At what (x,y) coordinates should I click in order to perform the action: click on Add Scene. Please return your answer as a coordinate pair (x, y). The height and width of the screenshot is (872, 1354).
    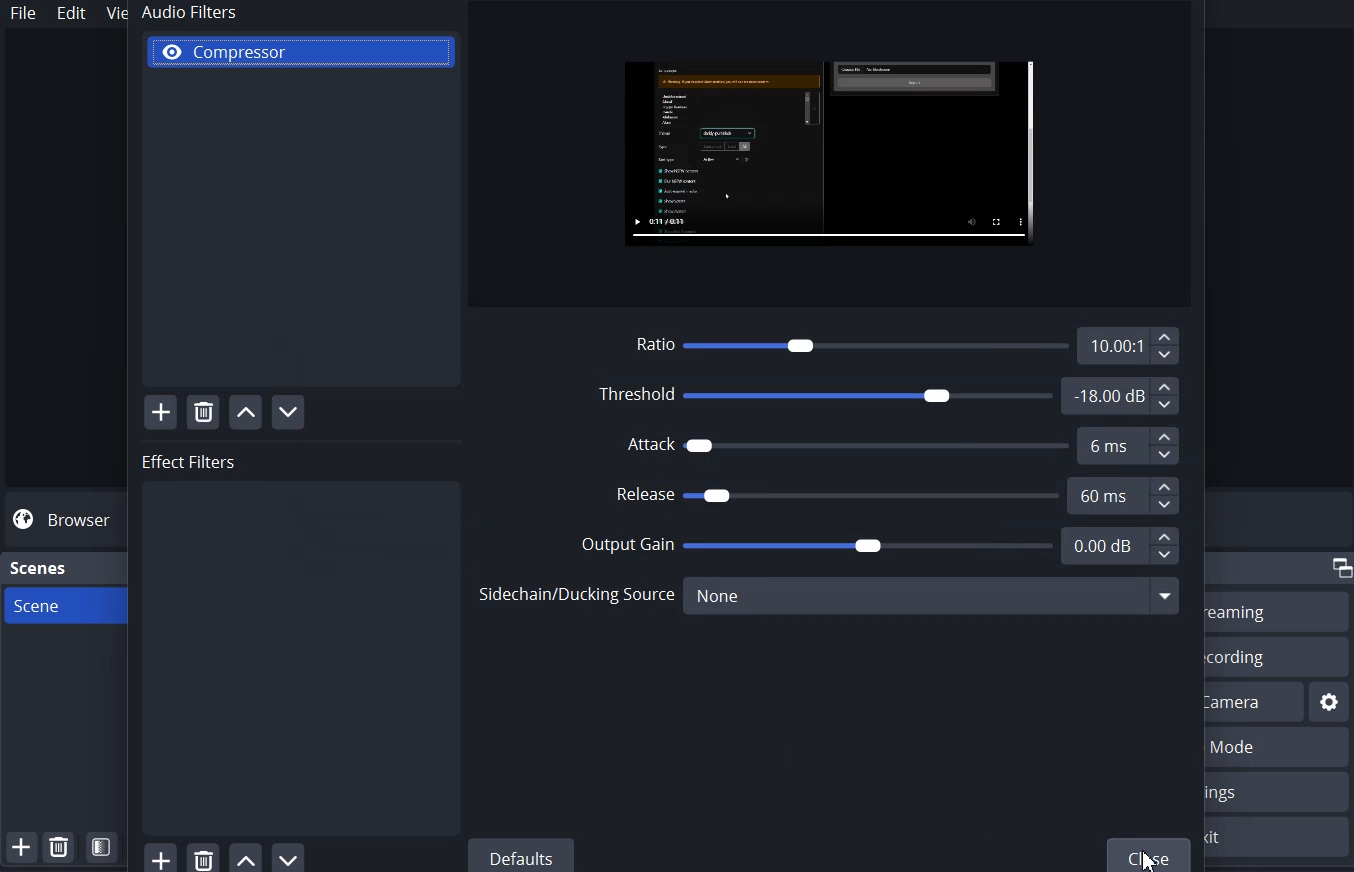
    Looking at the image, I should click on (20, 847).